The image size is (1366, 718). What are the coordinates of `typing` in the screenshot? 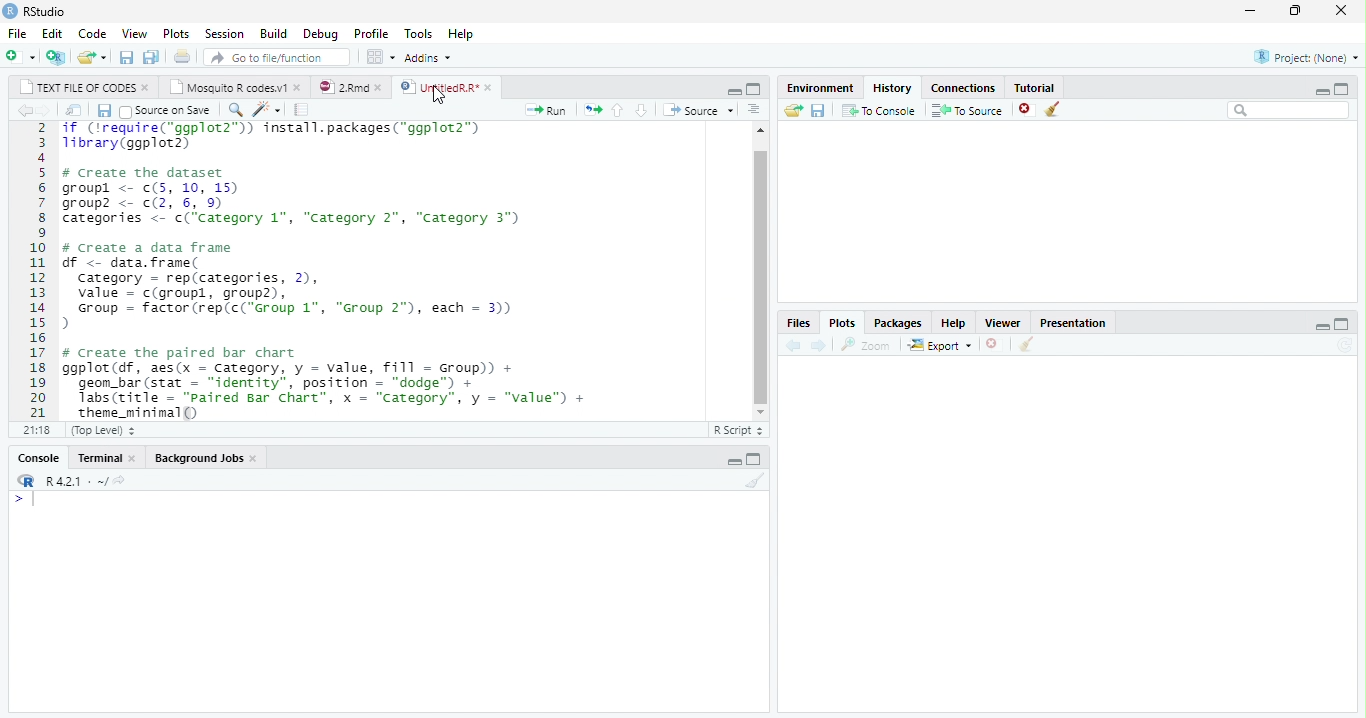 It's located at (23, 499).